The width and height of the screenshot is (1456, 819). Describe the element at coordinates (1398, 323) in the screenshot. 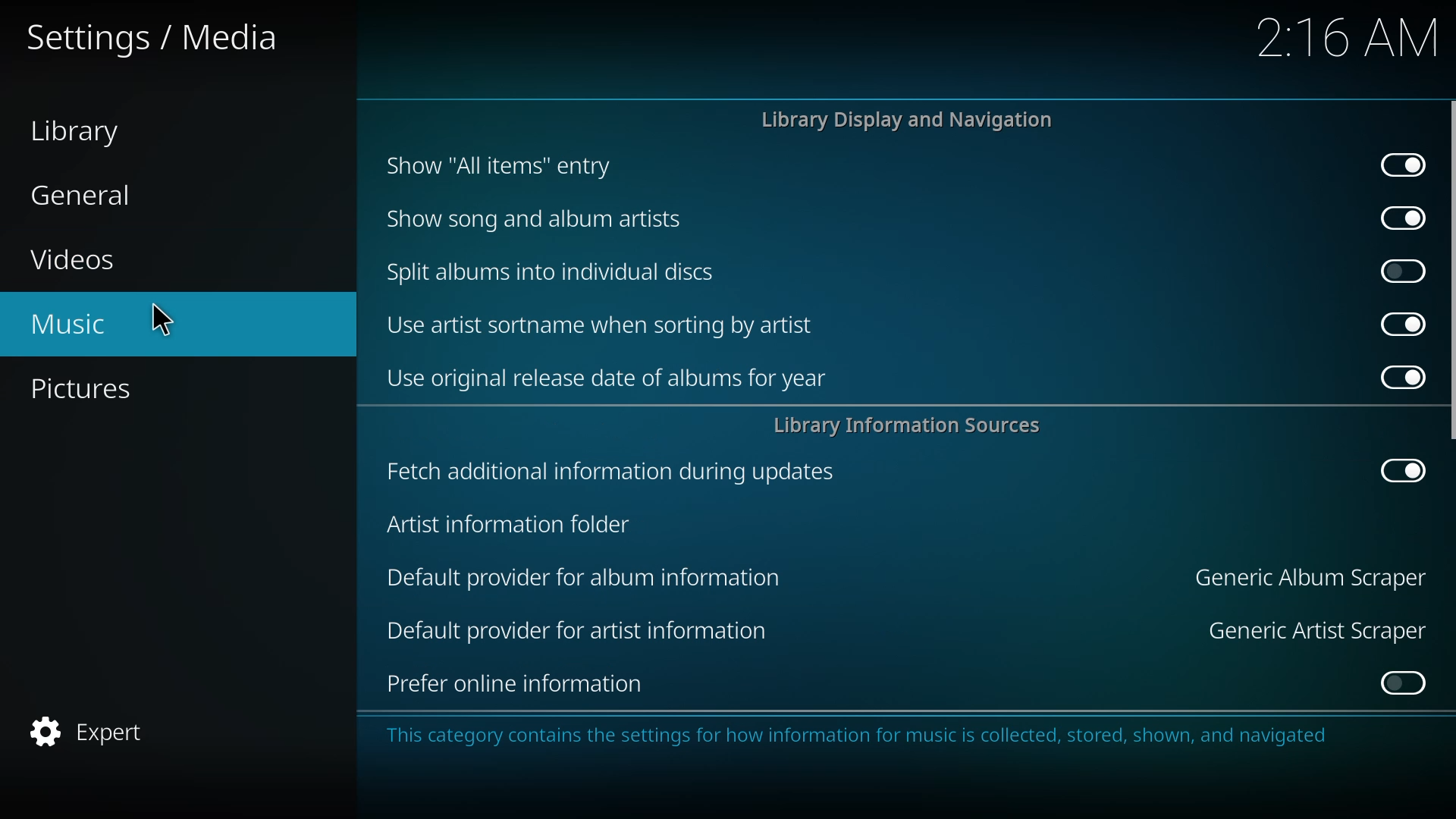

I see `enabled` at that location.